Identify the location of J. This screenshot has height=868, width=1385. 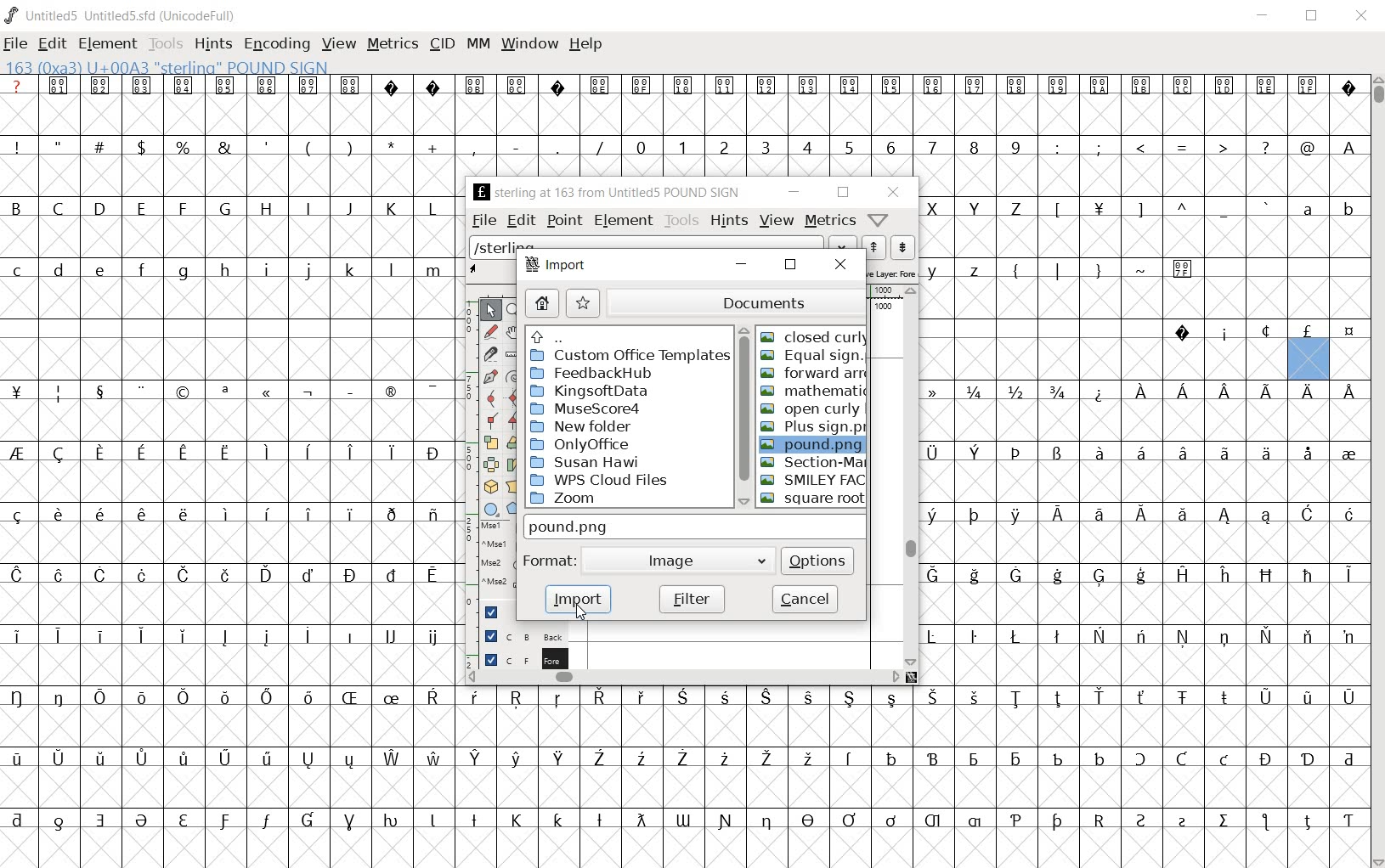
(348, 208).